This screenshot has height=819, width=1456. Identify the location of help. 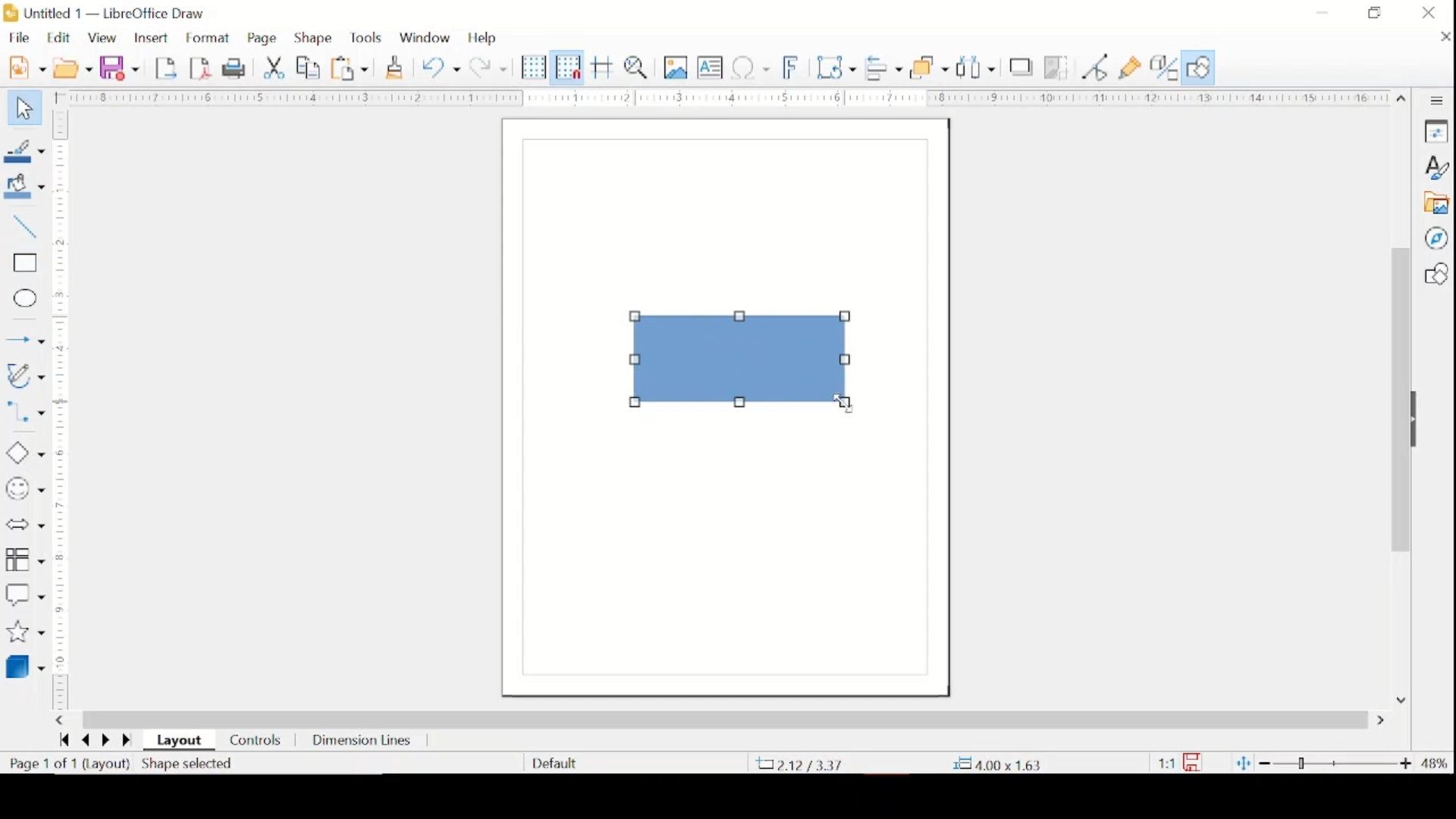
(484, 38).